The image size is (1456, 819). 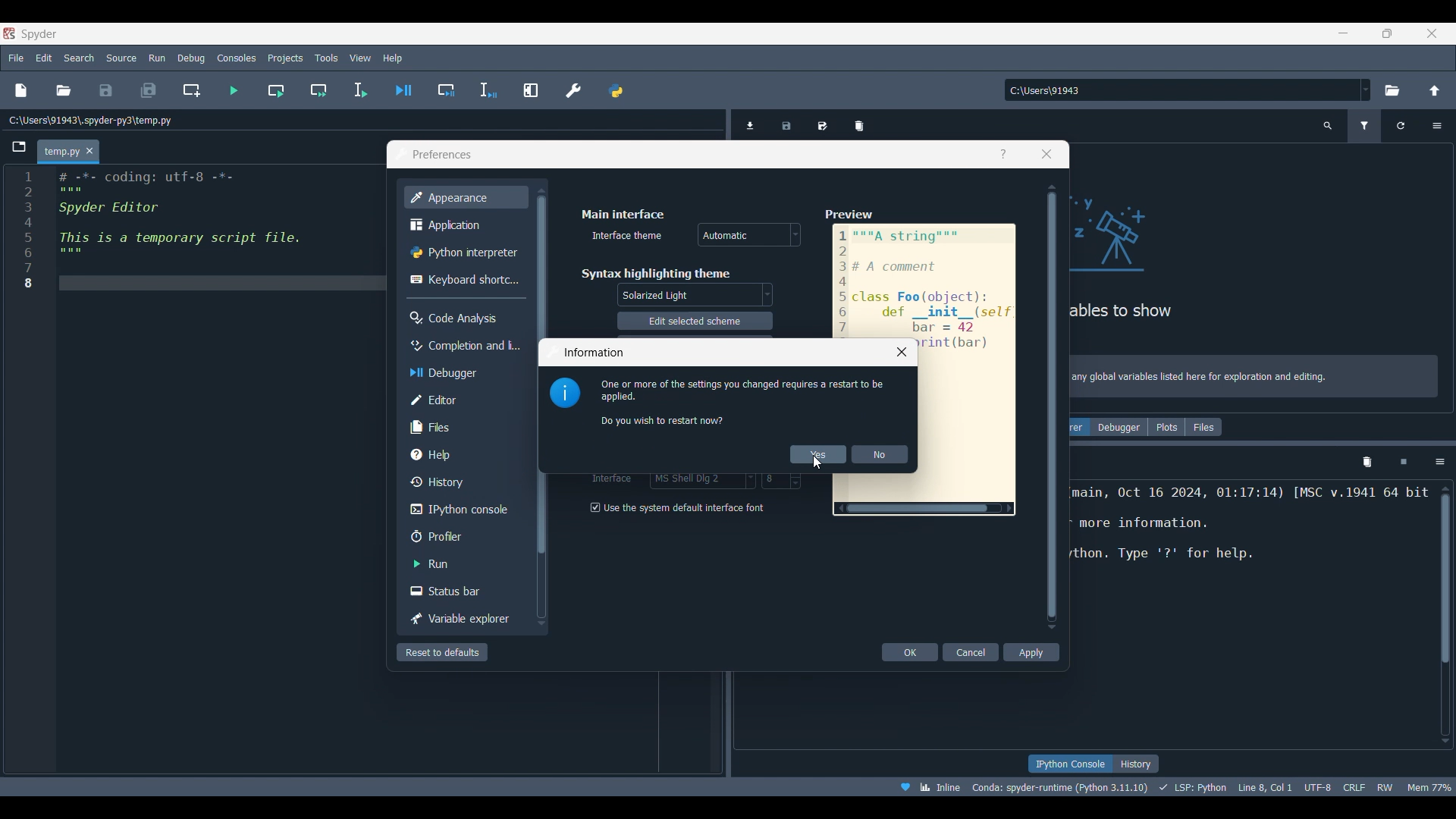 I want to click on Window title, so click(x=594, y=352).